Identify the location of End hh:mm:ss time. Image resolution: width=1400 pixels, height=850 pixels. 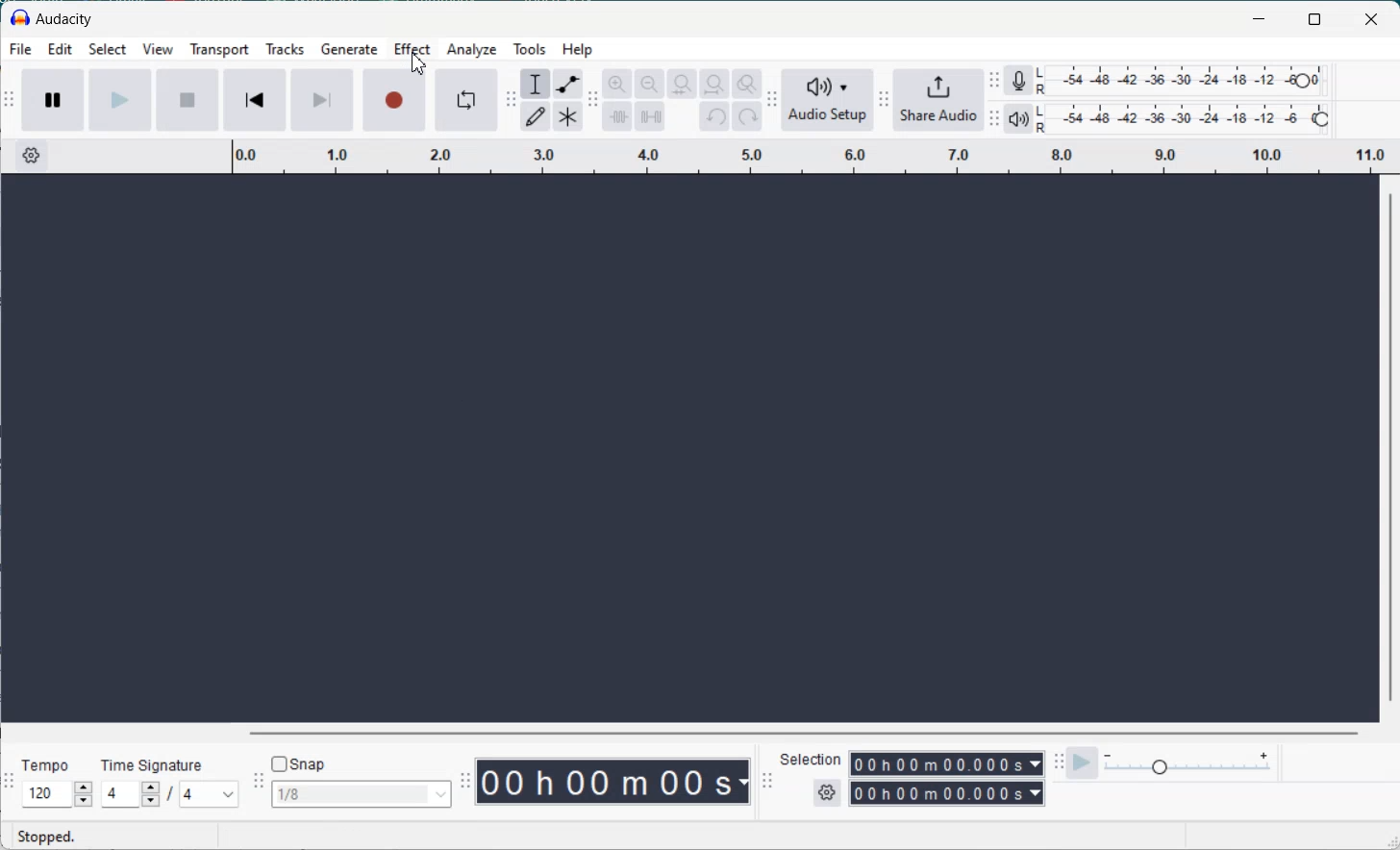
(947, 795).